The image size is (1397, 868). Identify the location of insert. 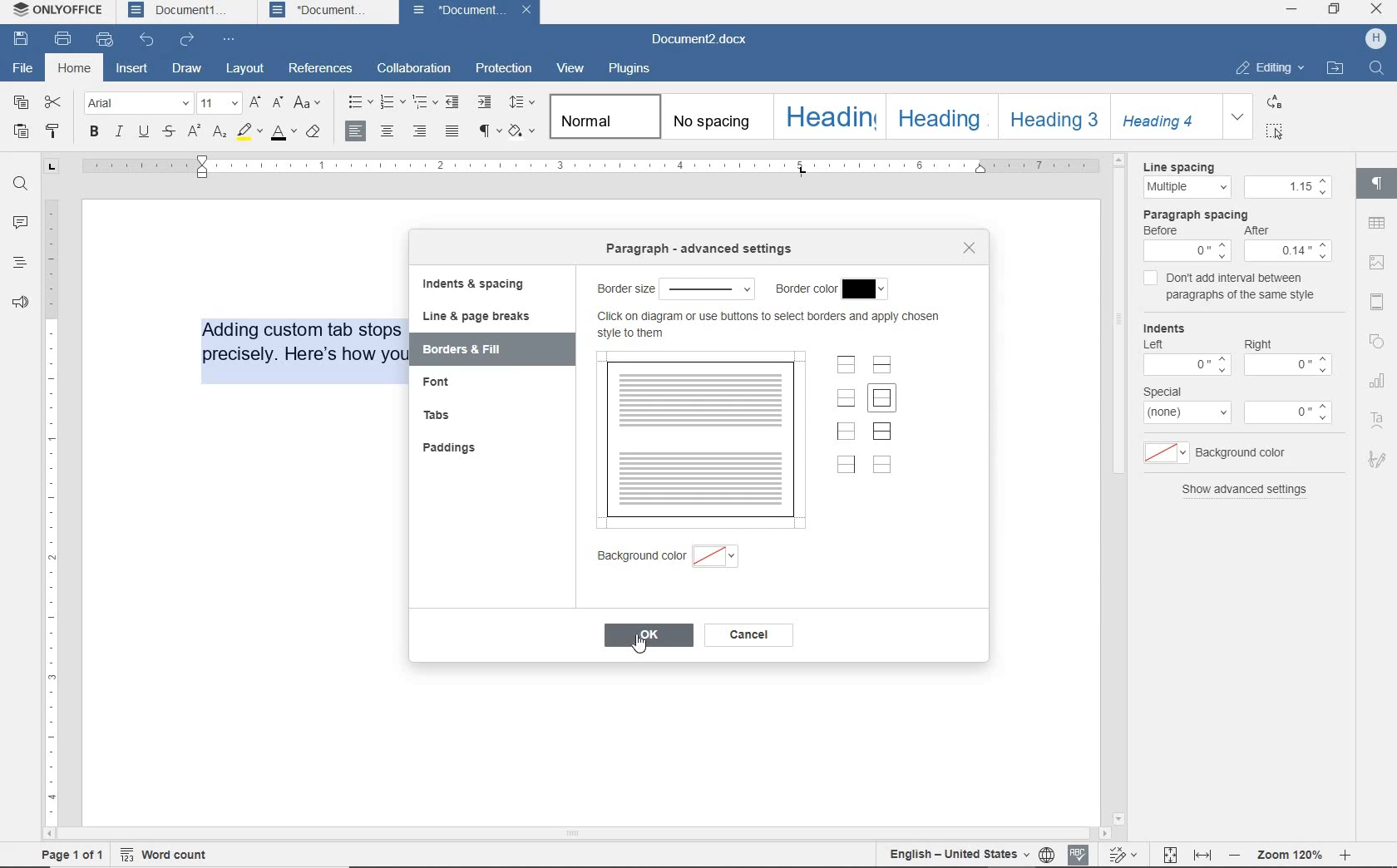
(131, 70).